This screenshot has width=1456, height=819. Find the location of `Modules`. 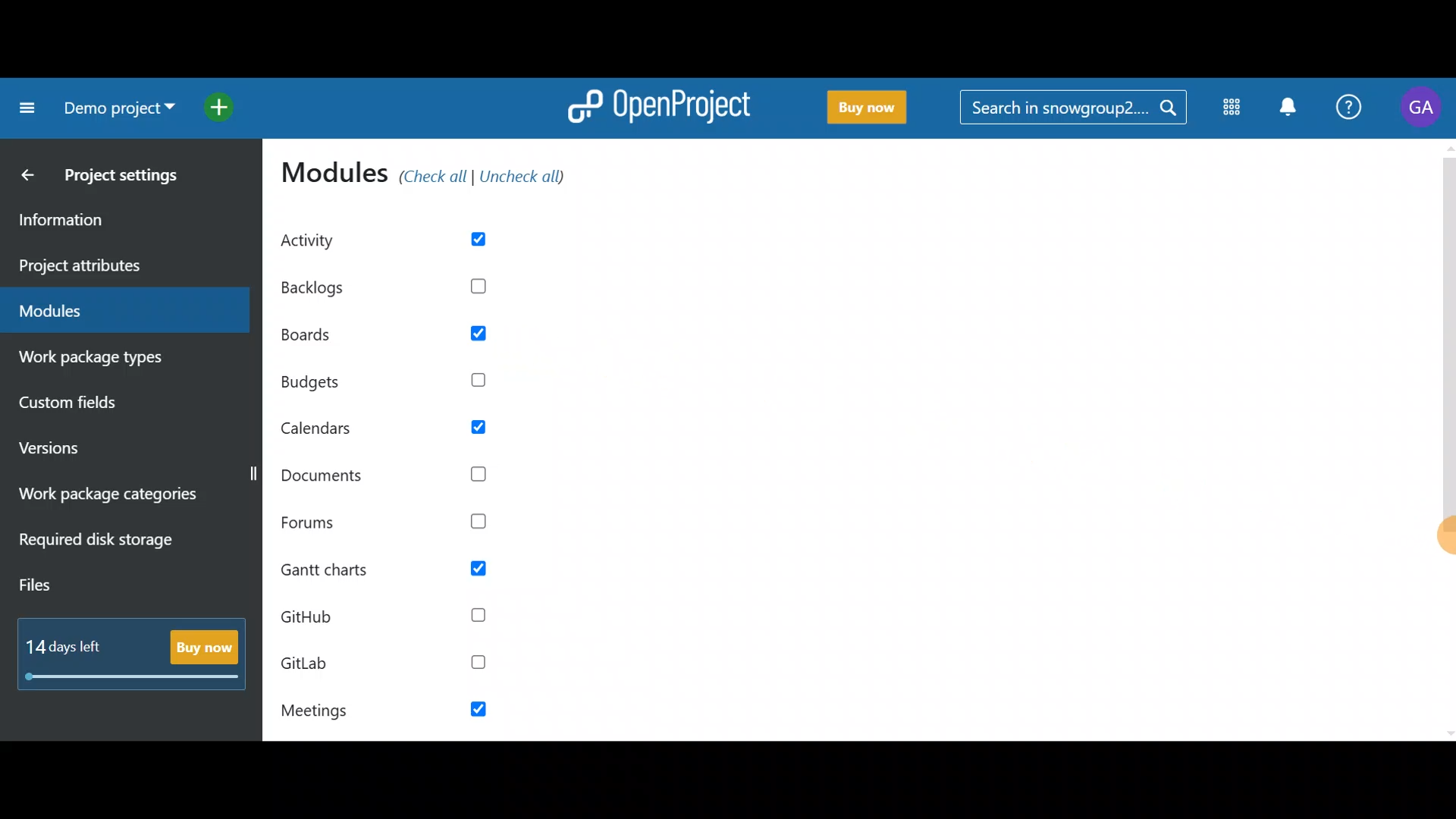

Modules is located at coordinates (1234, 108).